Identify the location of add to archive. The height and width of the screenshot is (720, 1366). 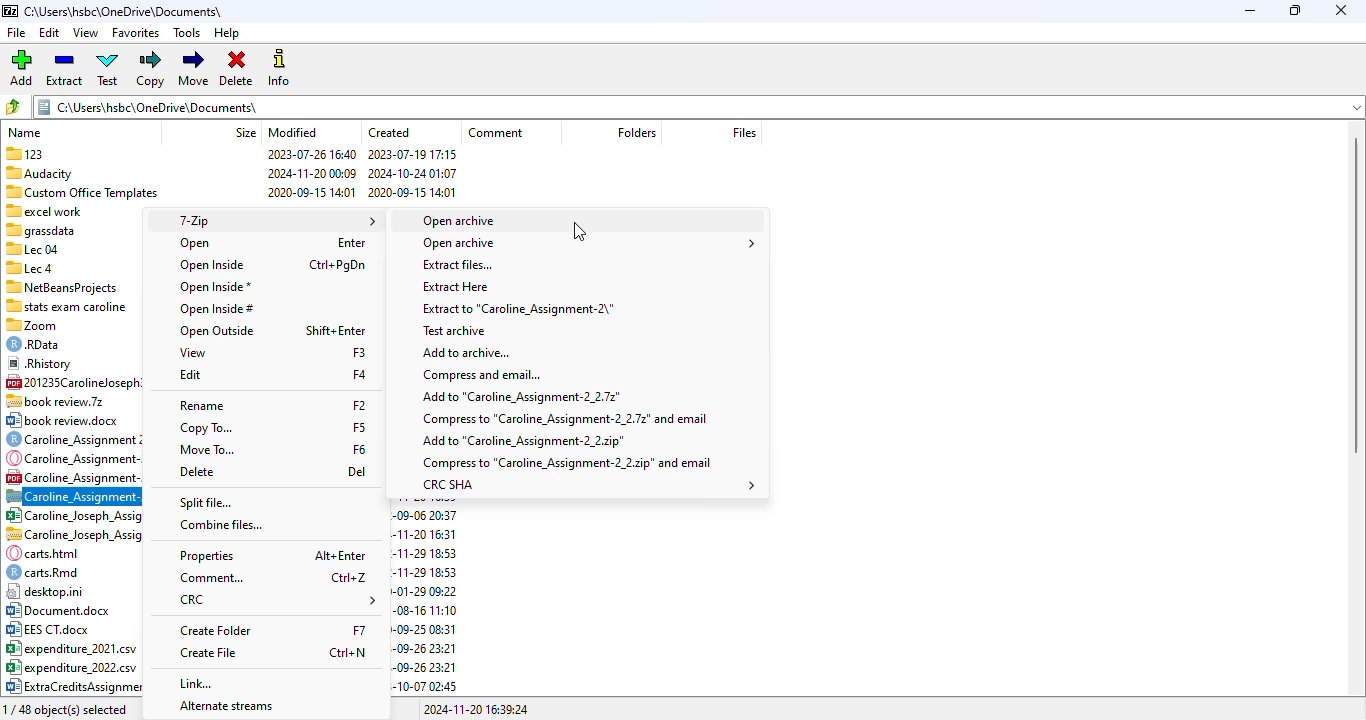
(466, 353).